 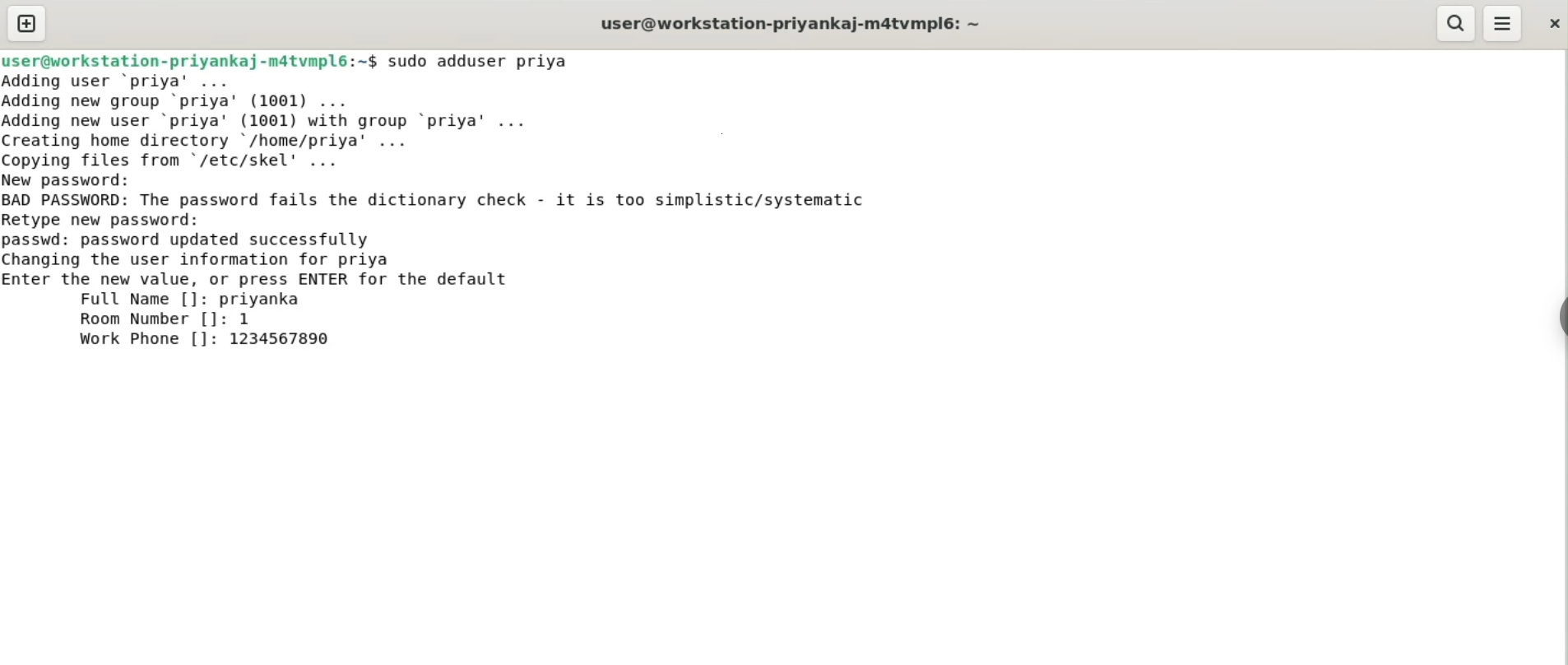 What do you see at coordinates (480, 61) in the screenshot?
I see `sudo adduser priya` at bounding box center [480, 61].